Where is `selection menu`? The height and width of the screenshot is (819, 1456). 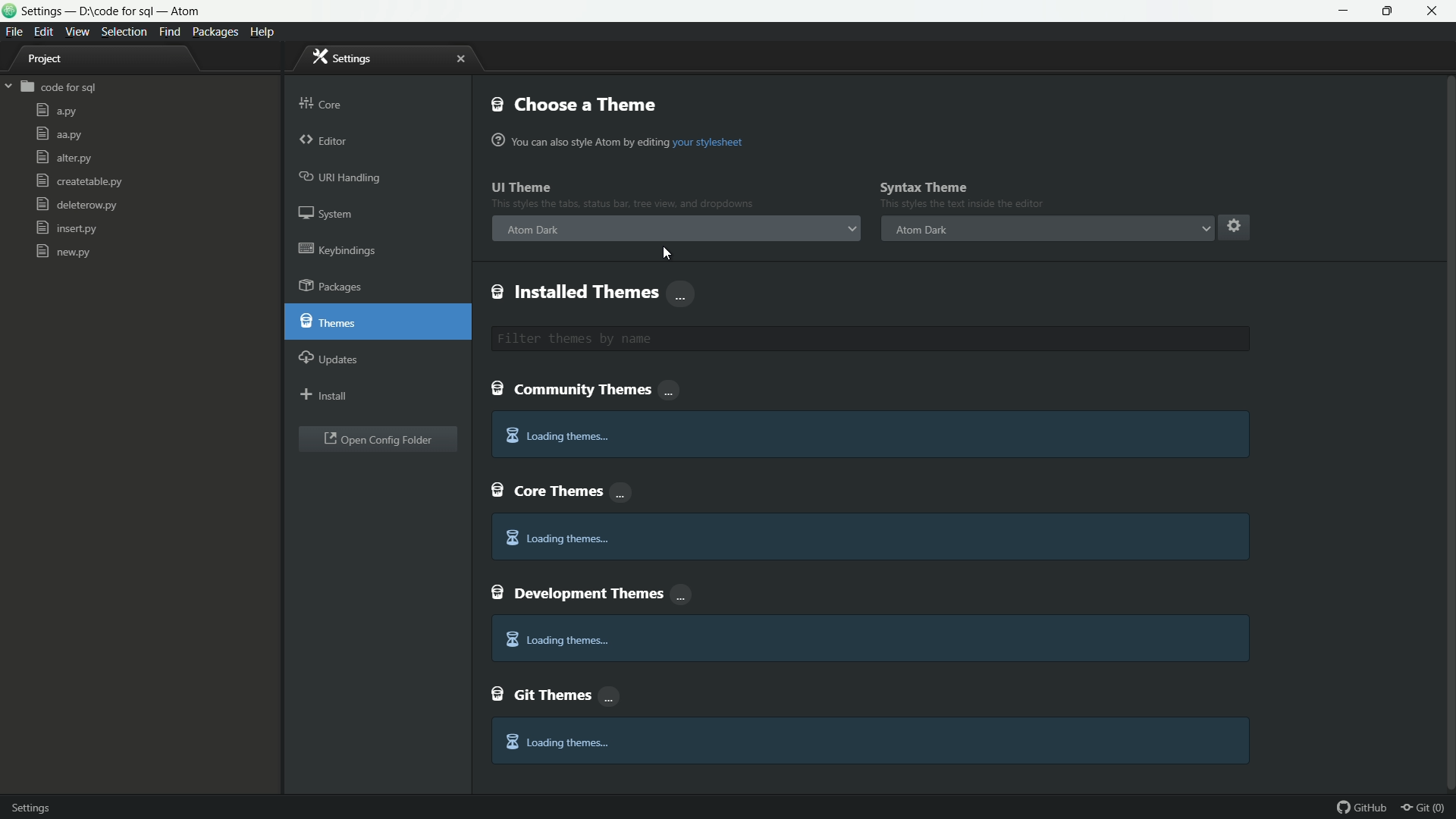
selection menu is located at coordinates (124, 33).